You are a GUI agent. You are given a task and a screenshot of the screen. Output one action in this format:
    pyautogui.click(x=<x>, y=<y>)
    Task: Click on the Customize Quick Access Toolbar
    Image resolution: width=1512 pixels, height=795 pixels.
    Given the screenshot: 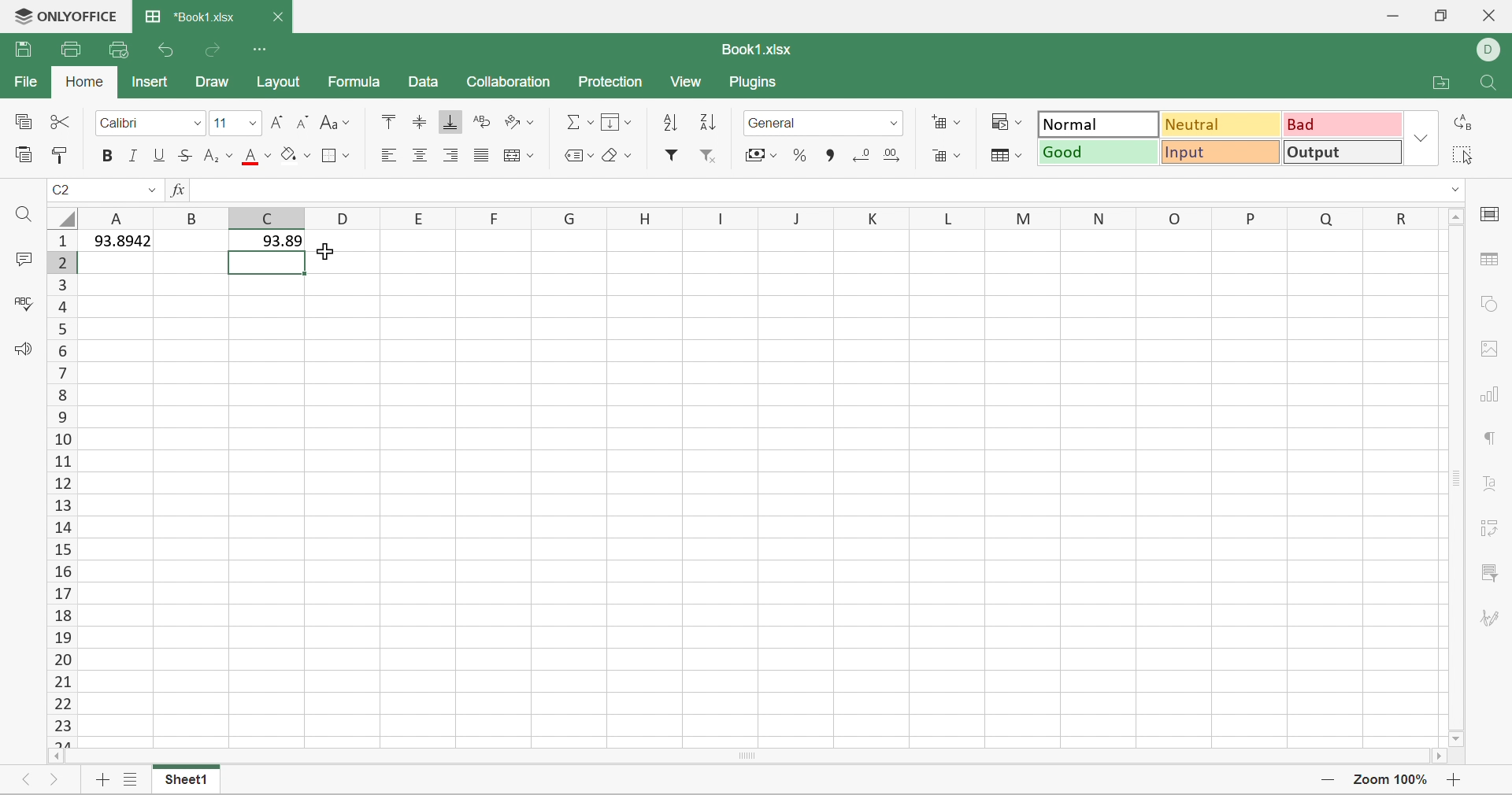 What is the action you would take?
    pyautogui.click(x=262, y=48)
    